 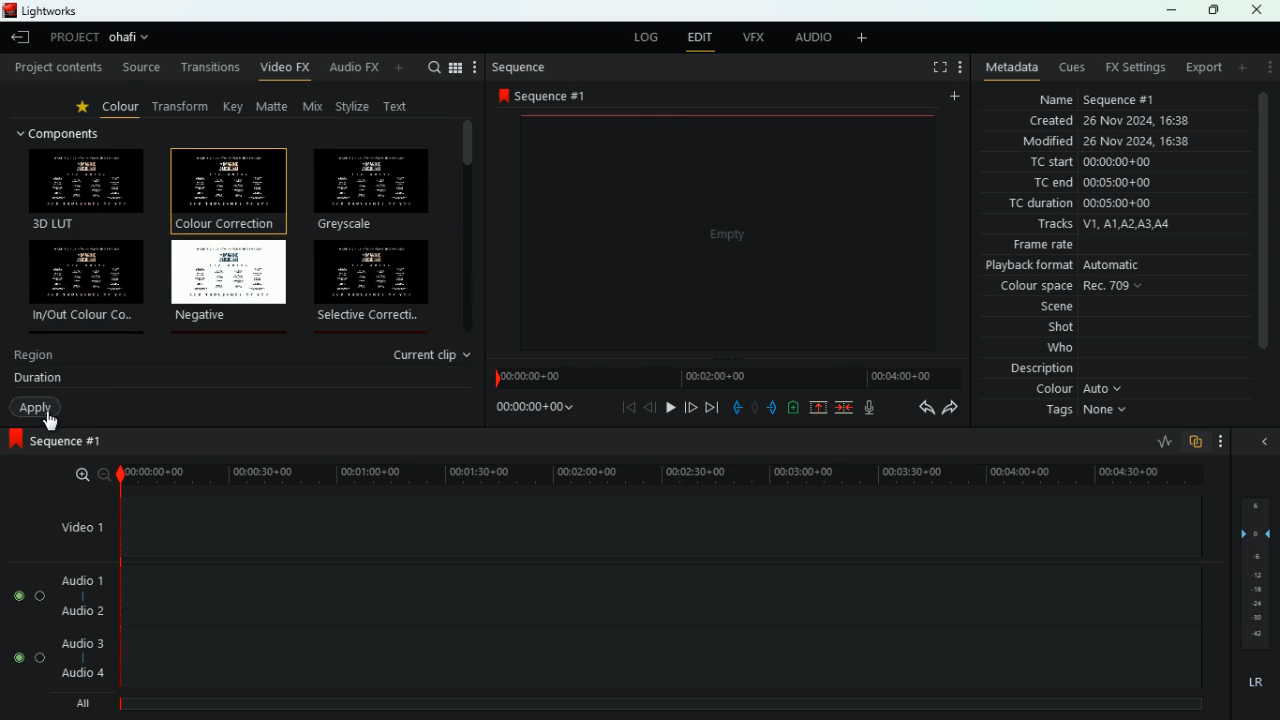 What do you see at coordinates (1045, 350) in the screenshot?
I see `who` at bounding box center [1045, 350].